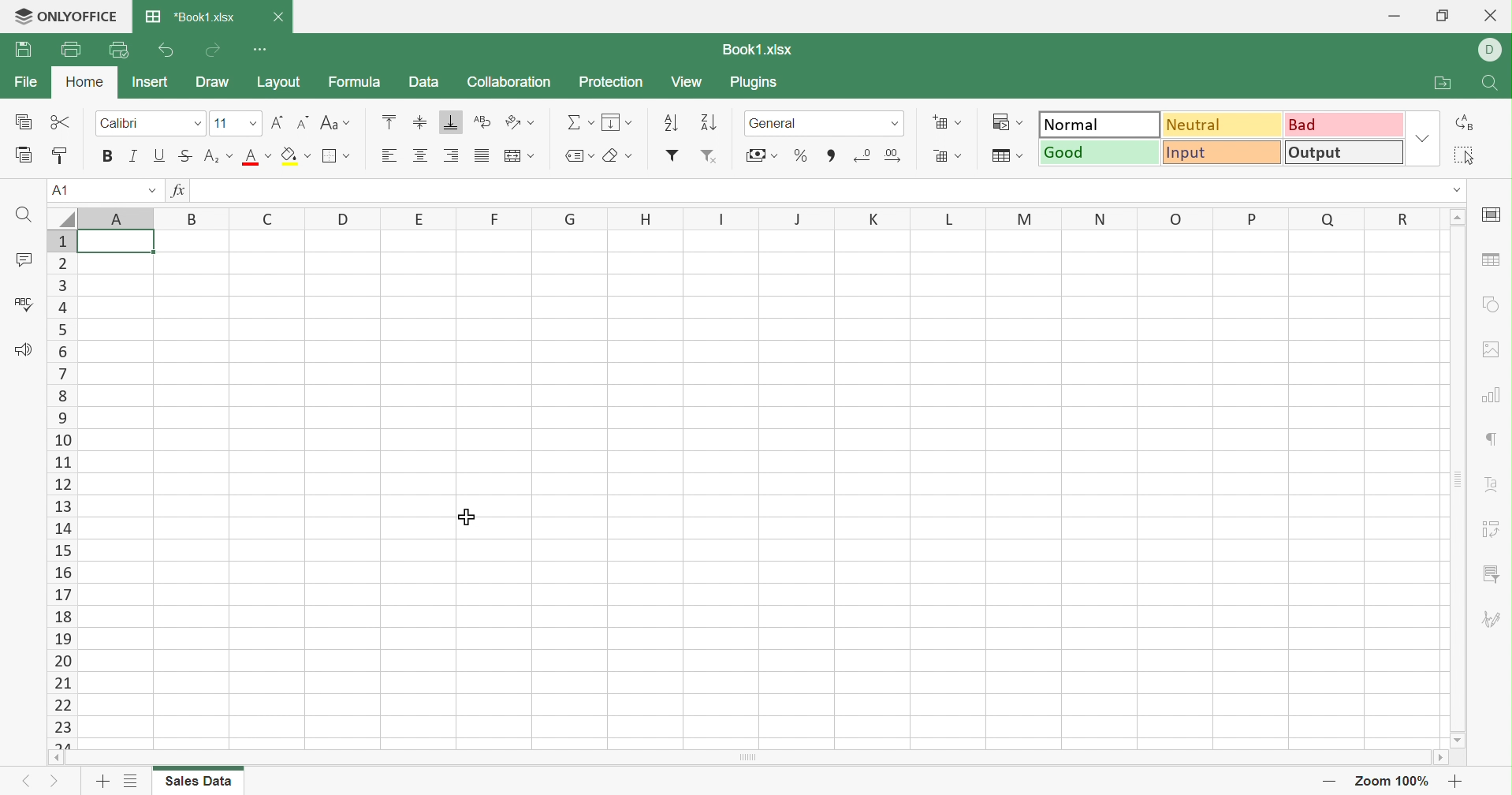 Image resolution: width=1512 pixels, height=795 pixels. What do you see at coordinates (65, 17) in the screenshot?
I see `ONLYOFFICE` at bounding box center [65, 17].